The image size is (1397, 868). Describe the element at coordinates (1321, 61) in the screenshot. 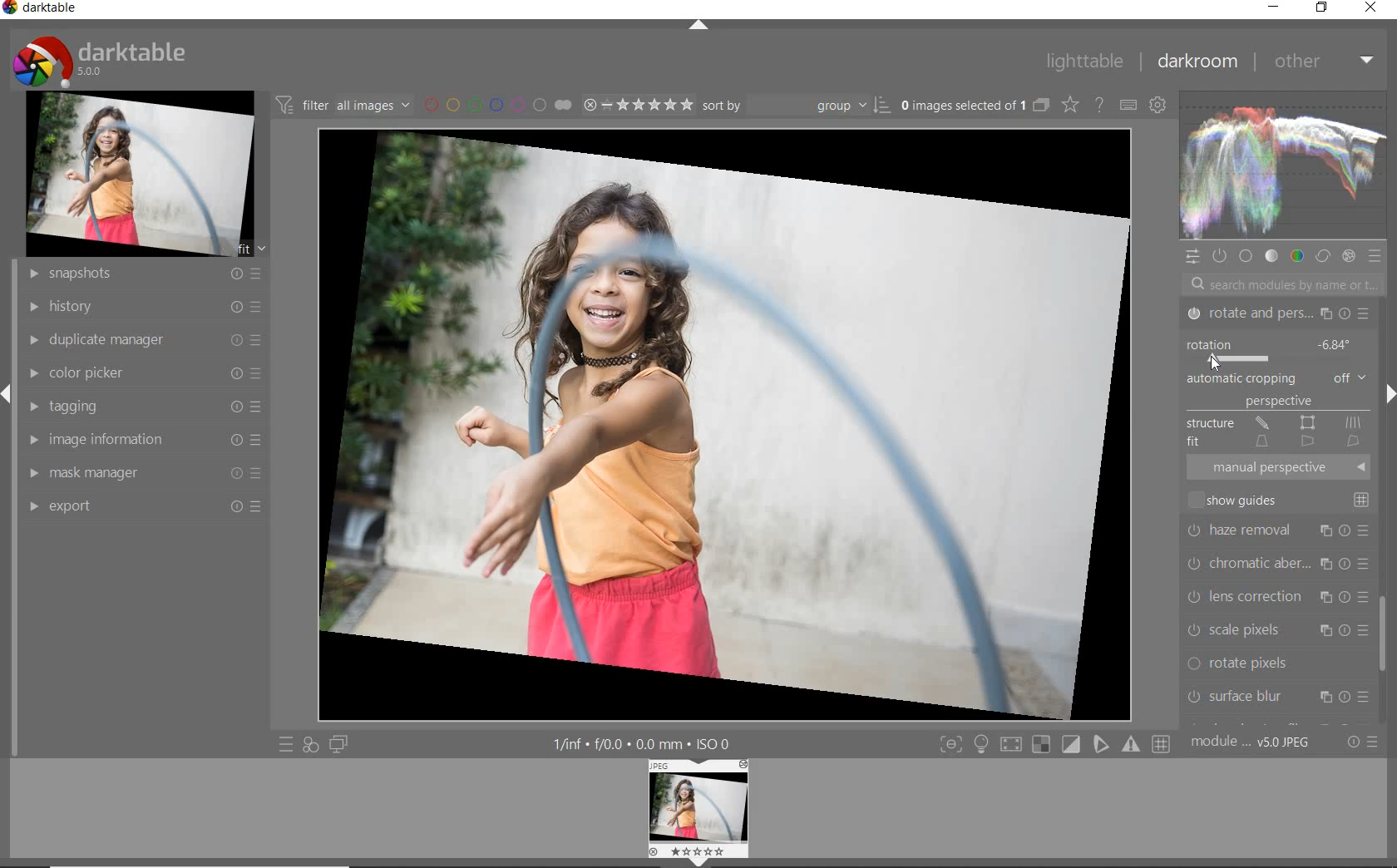

I see `other` at that location.